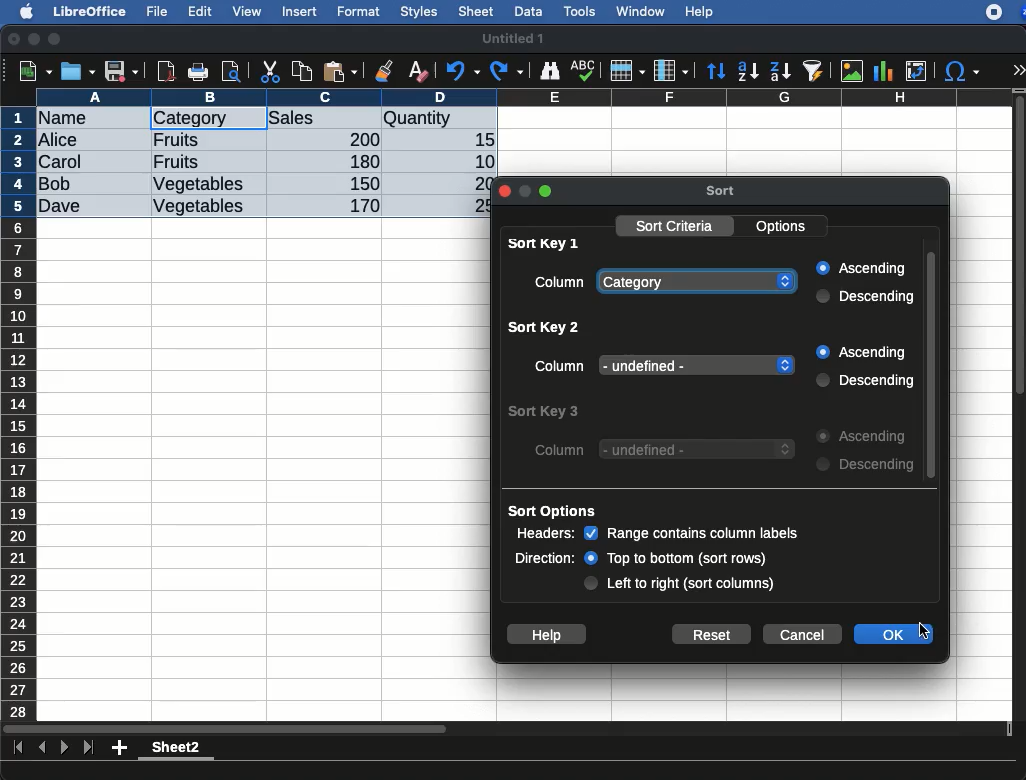  What do you see at coordinates (814, 70) in the screenshot?
I see `autofilter` at bounding box center [814, 70].